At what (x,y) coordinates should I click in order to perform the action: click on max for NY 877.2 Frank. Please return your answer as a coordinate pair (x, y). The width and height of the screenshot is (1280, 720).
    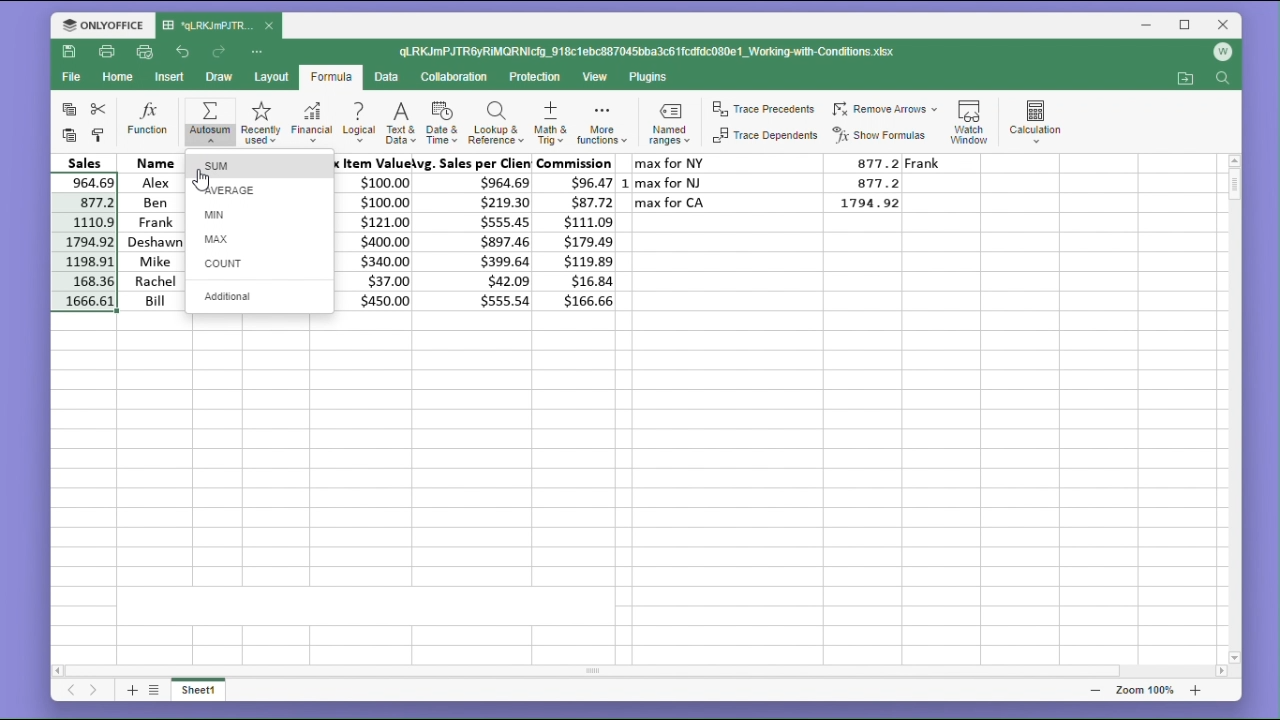
    Looking at the image, I should click on (807, 163).